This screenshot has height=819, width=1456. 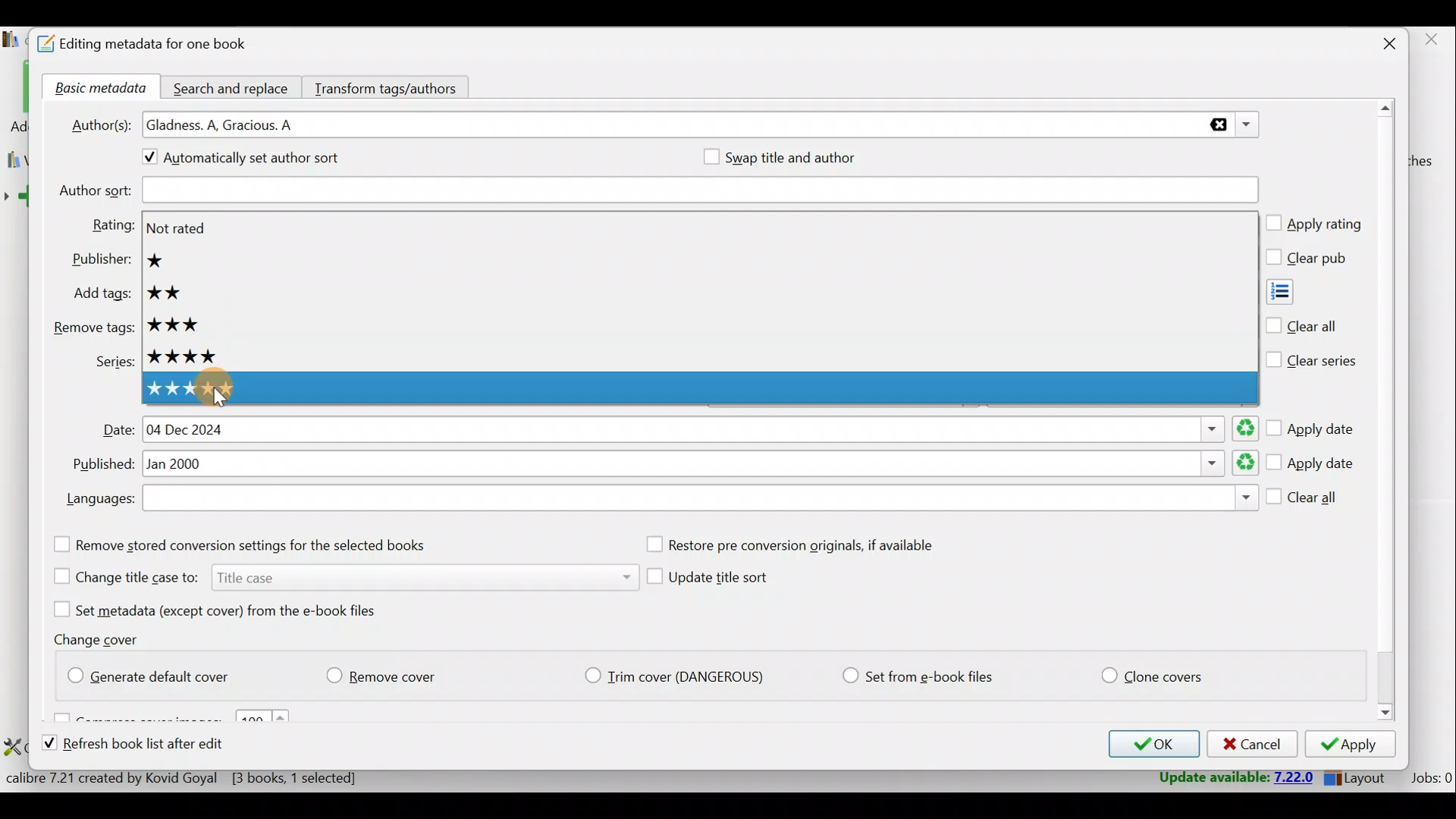 I want to click on Close, so click(x=1382, y=45).